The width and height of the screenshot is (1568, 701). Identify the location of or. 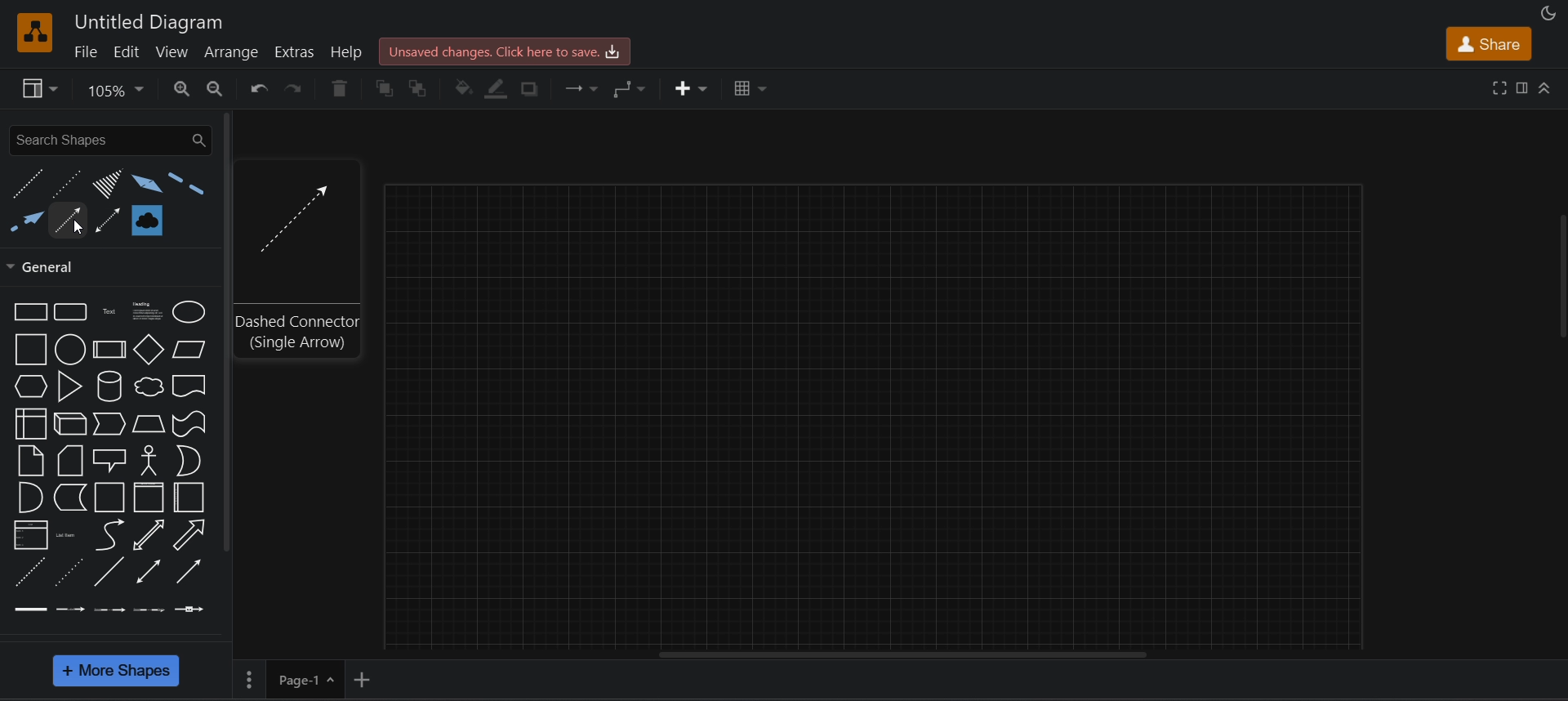
(188, 462).